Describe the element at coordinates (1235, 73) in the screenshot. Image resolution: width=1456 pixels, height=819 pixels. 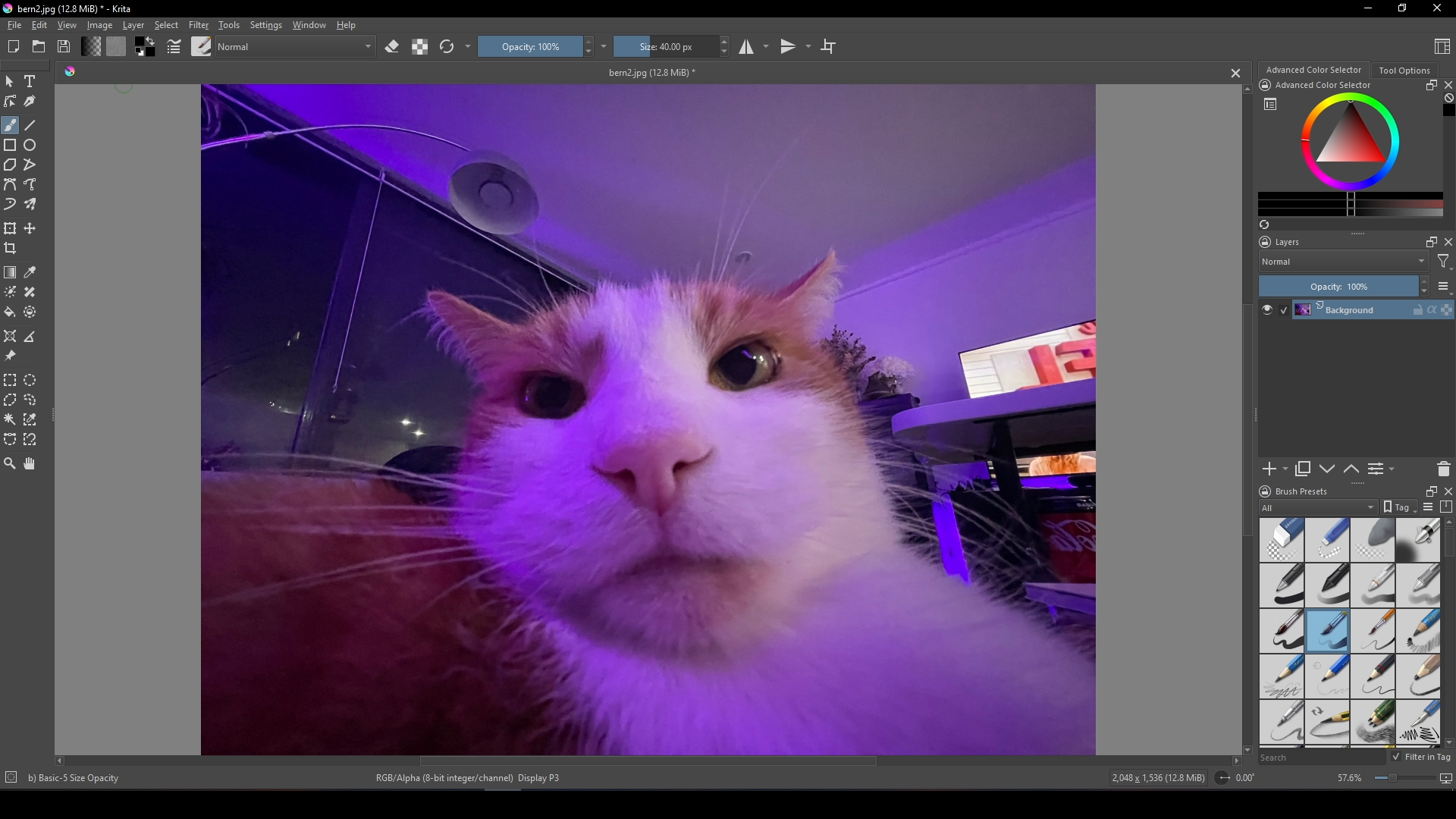
I see `Close tab` at that location.